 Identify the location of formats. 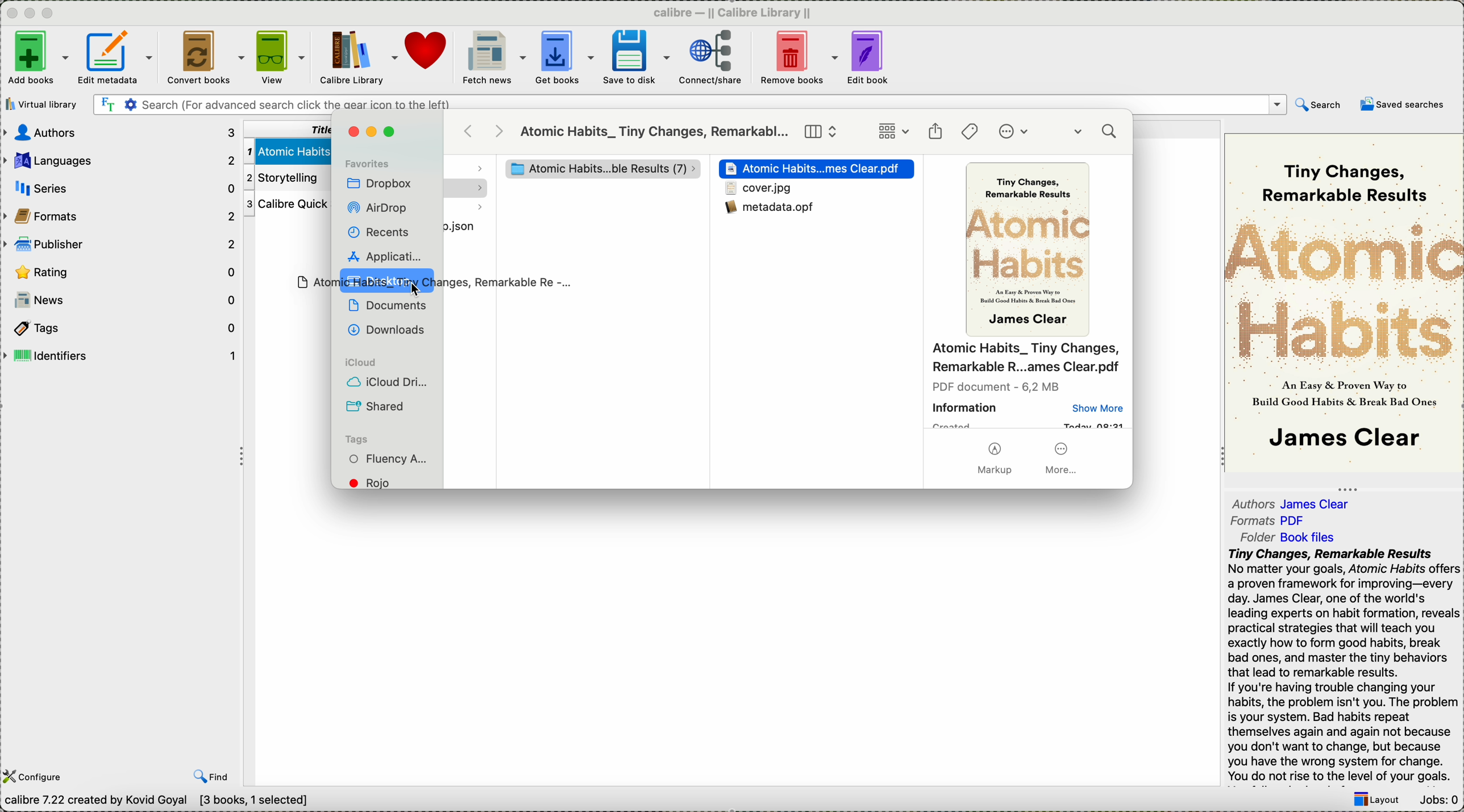
(121, 215).